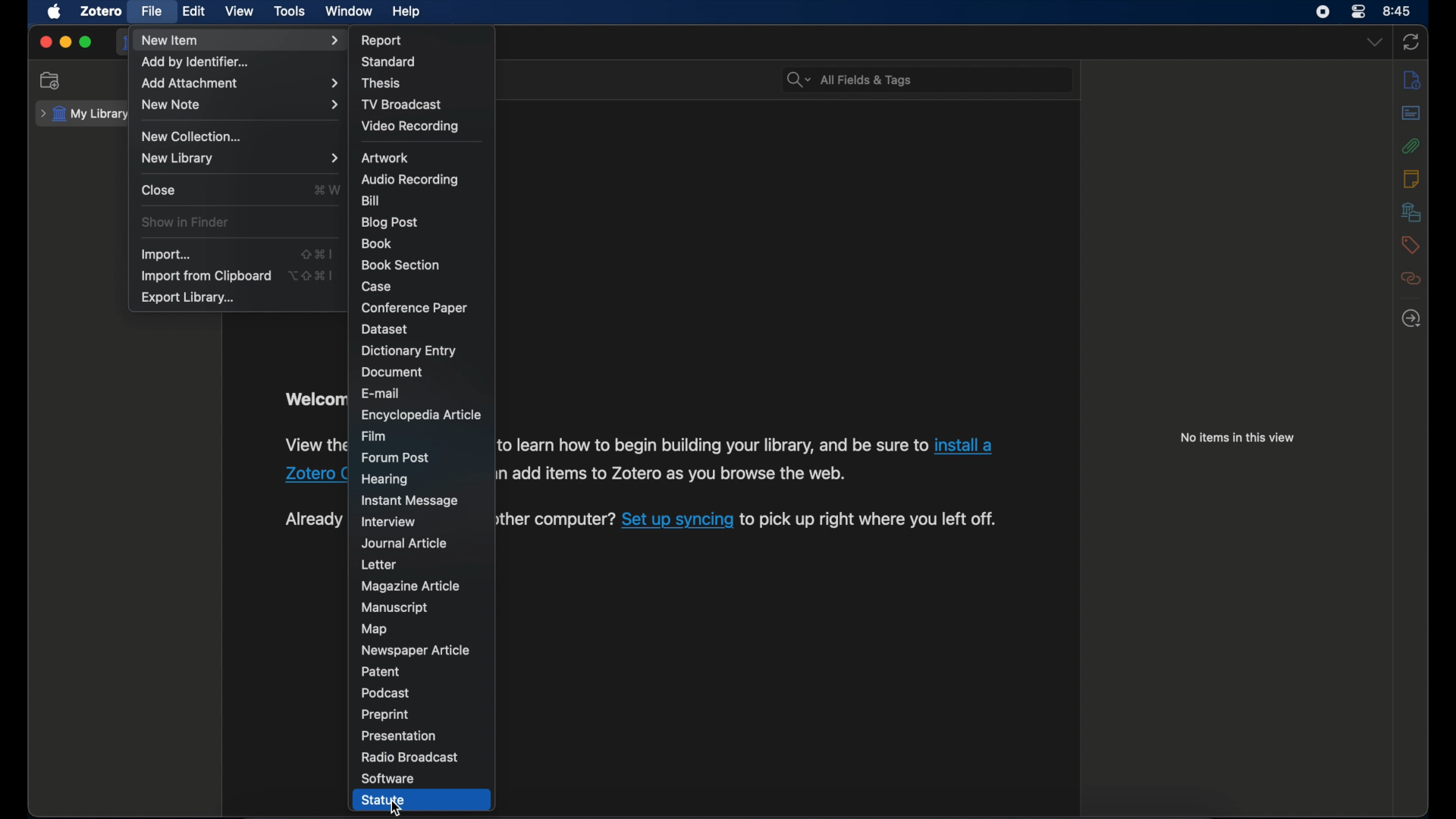 The image size is (1456, 819). Describe the element at coordinates (315, 474) in the screenshot. I see `Zotero connector link` at that location.